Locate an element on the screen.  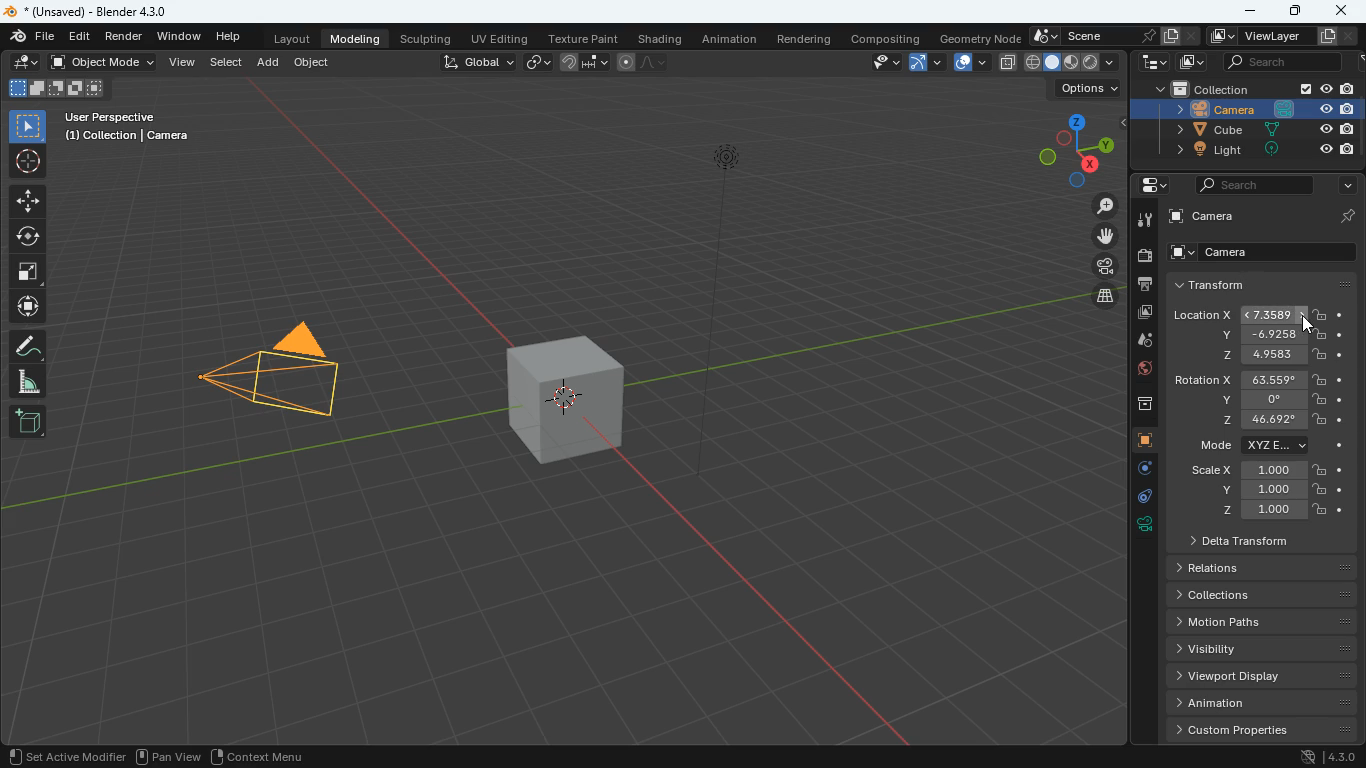
camera is located at coordinates (1142, 256).